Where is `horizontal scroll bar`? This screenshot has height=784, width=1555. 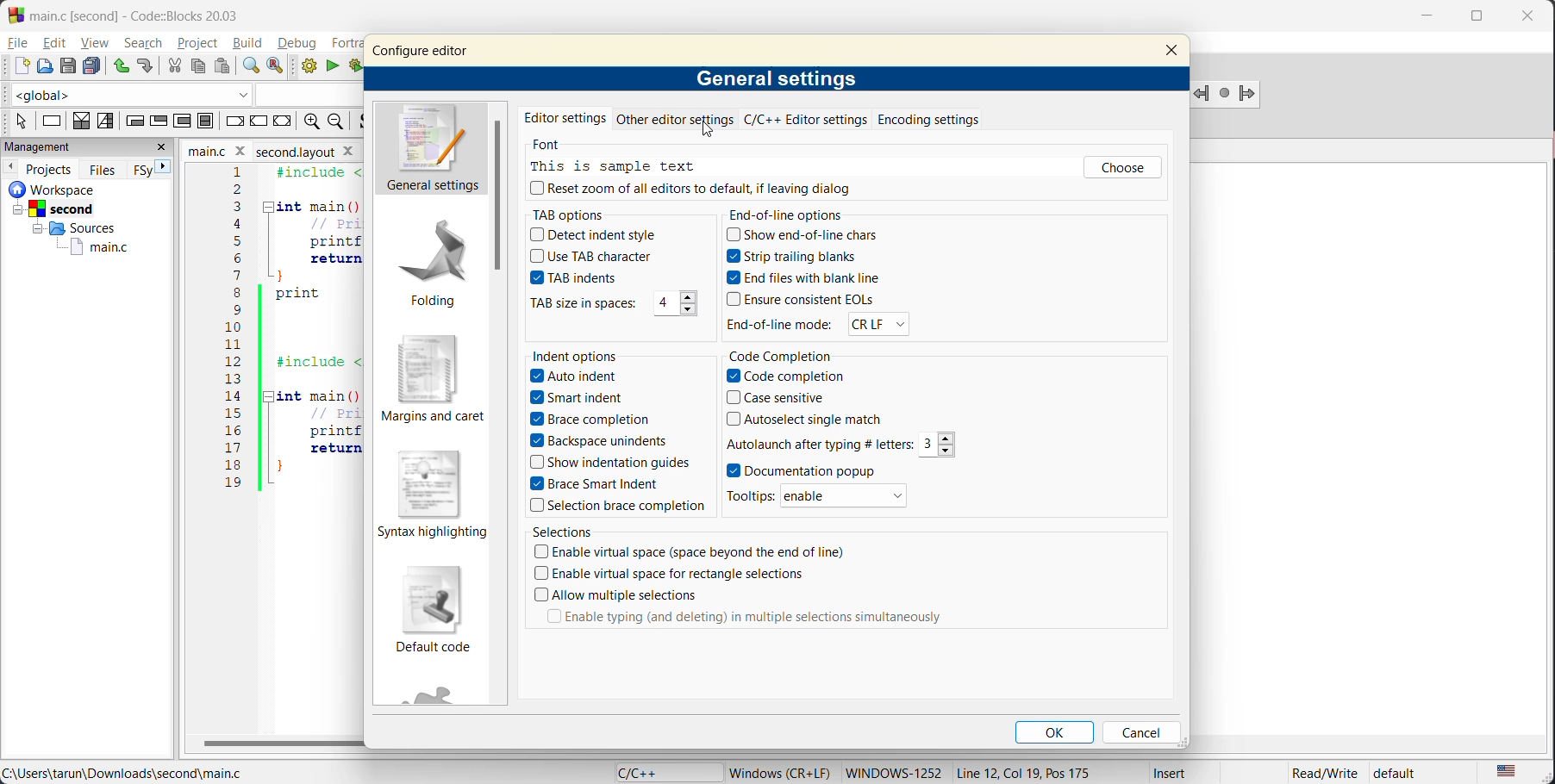 horizontal scroll bar is located at coordinates (276, 744).